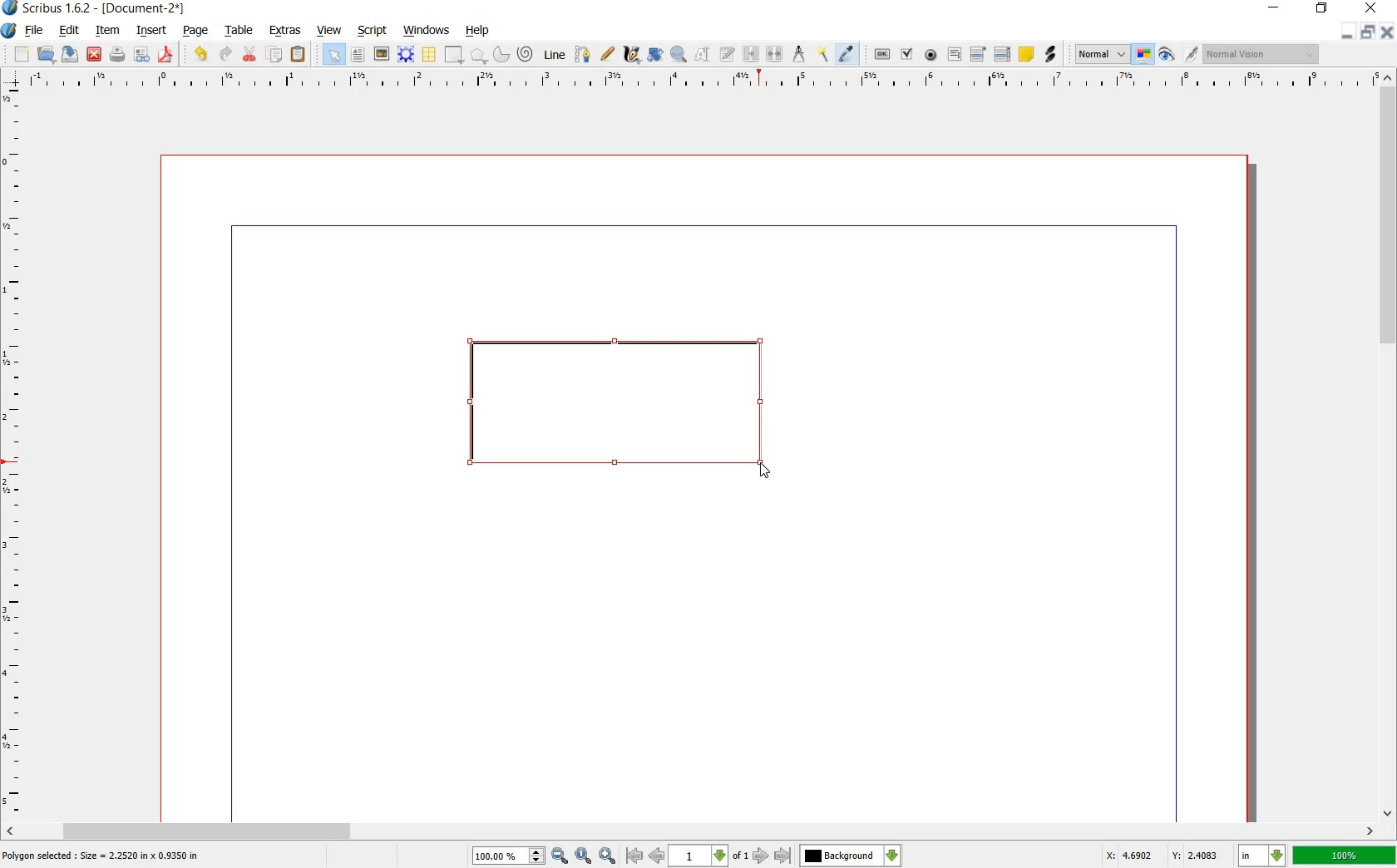 The image size is (1397, 868). I want to click on shape created, so click(617, 408).